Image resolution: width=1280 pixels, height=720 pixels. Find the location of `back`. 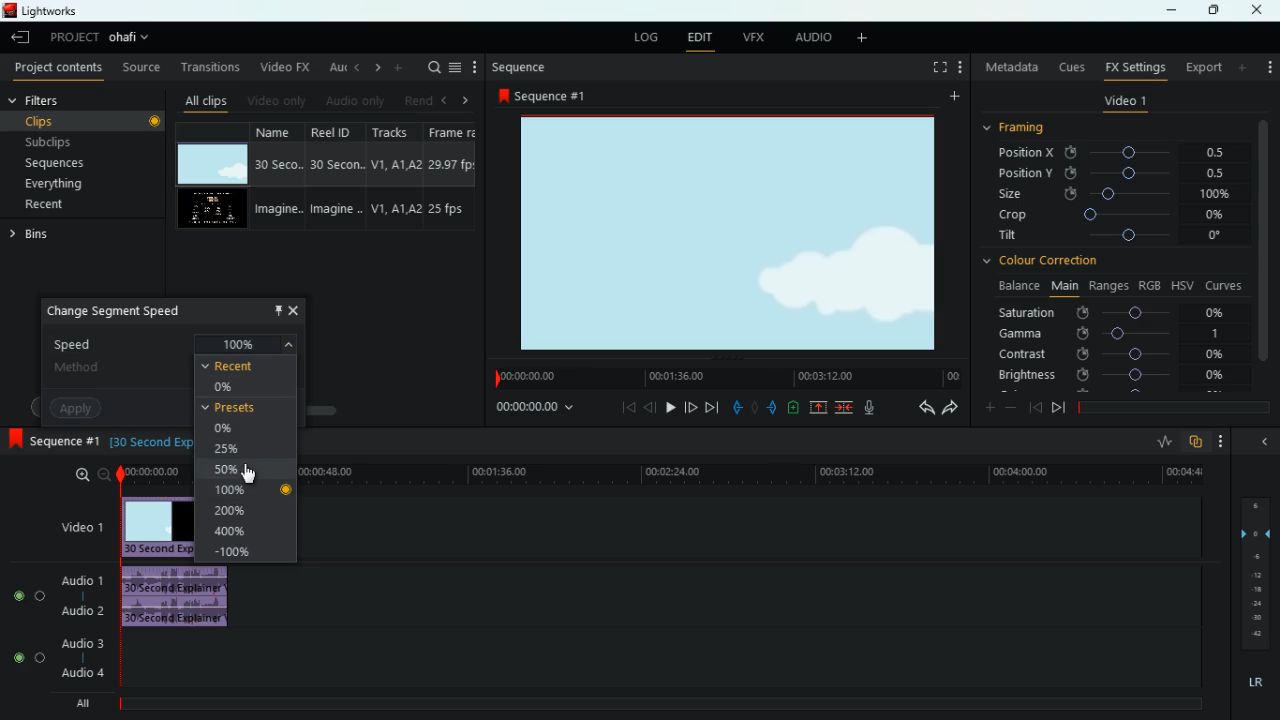

back is located at coordinates (919, 408).